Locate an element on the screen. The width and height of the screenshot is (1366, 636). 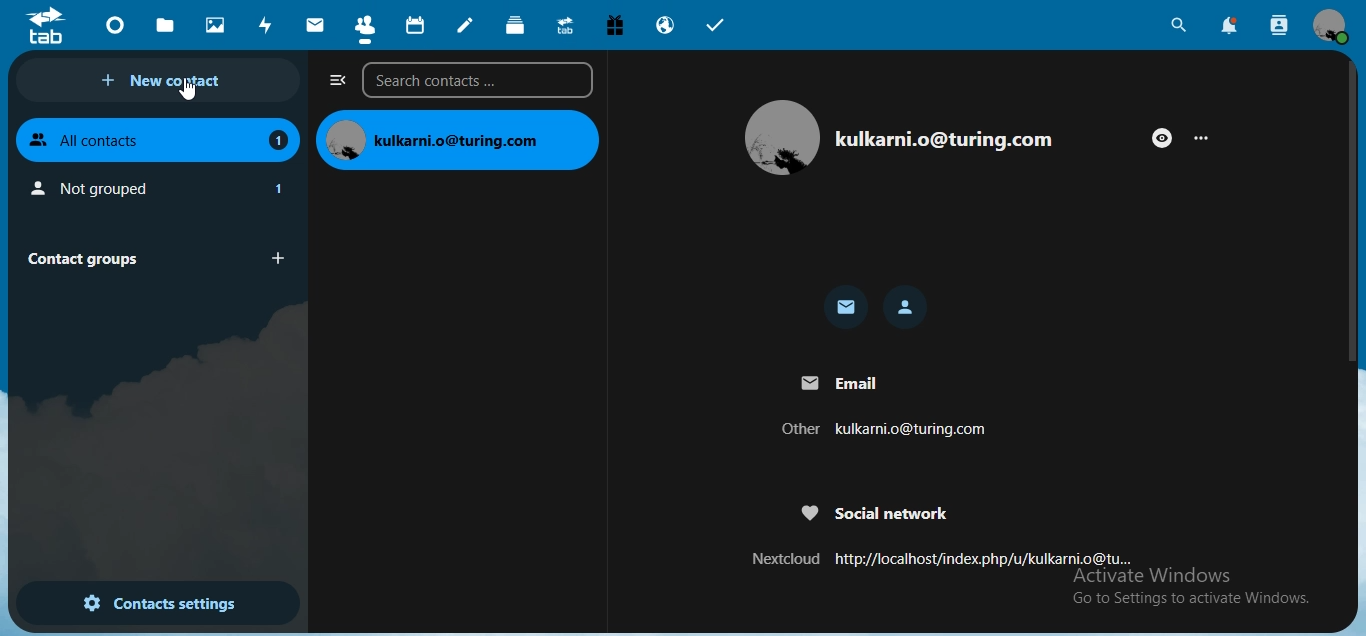
activity is located at coordinates (265, 25).